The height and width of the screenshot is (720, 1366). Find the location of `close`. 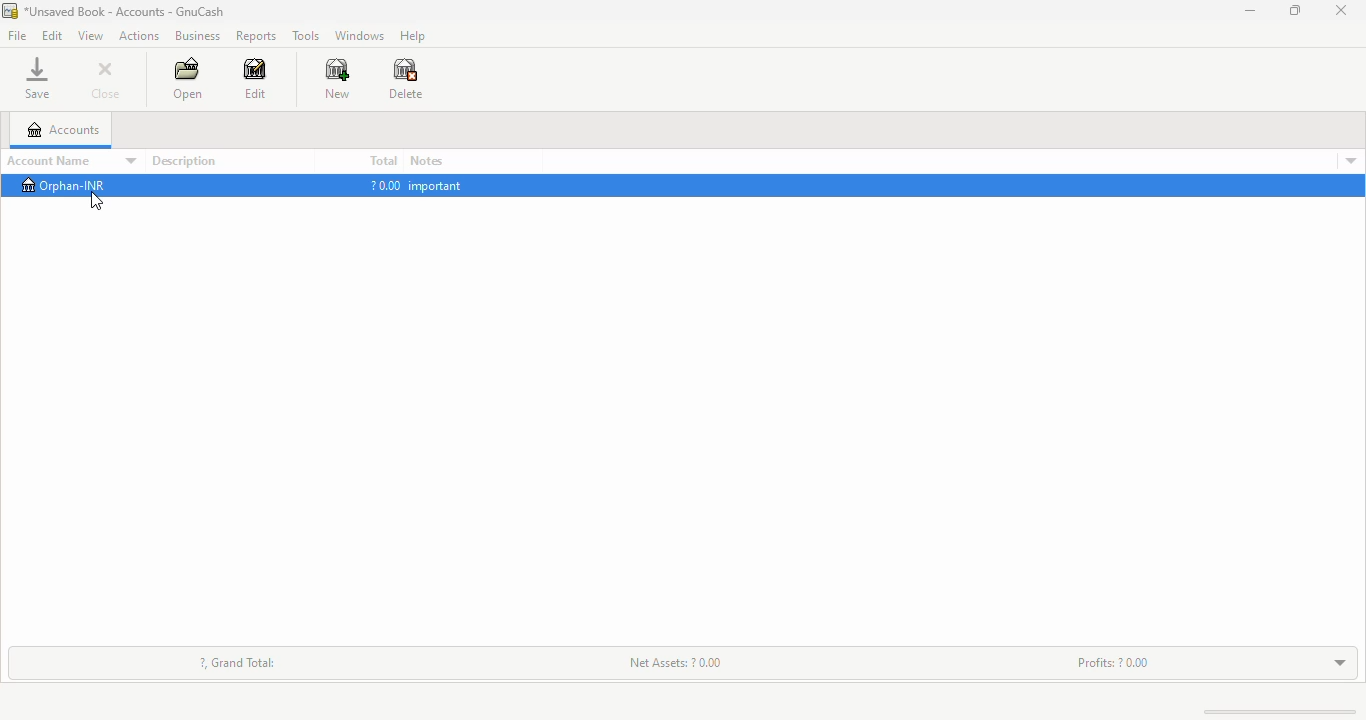

close is located at coordinates (107, 80).